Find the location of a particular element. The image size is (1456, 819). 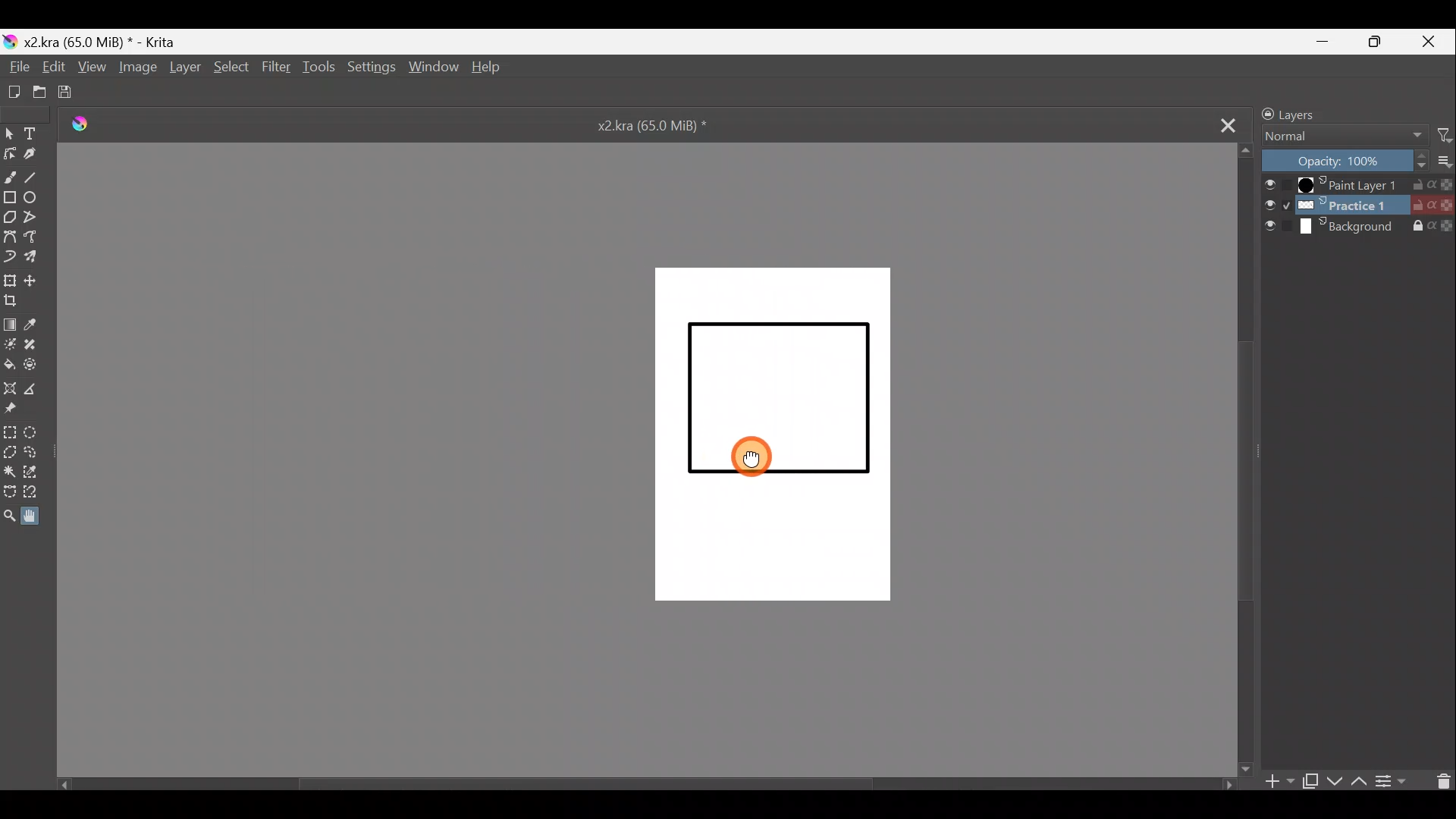

Edit is located at coordinates (49, 65).